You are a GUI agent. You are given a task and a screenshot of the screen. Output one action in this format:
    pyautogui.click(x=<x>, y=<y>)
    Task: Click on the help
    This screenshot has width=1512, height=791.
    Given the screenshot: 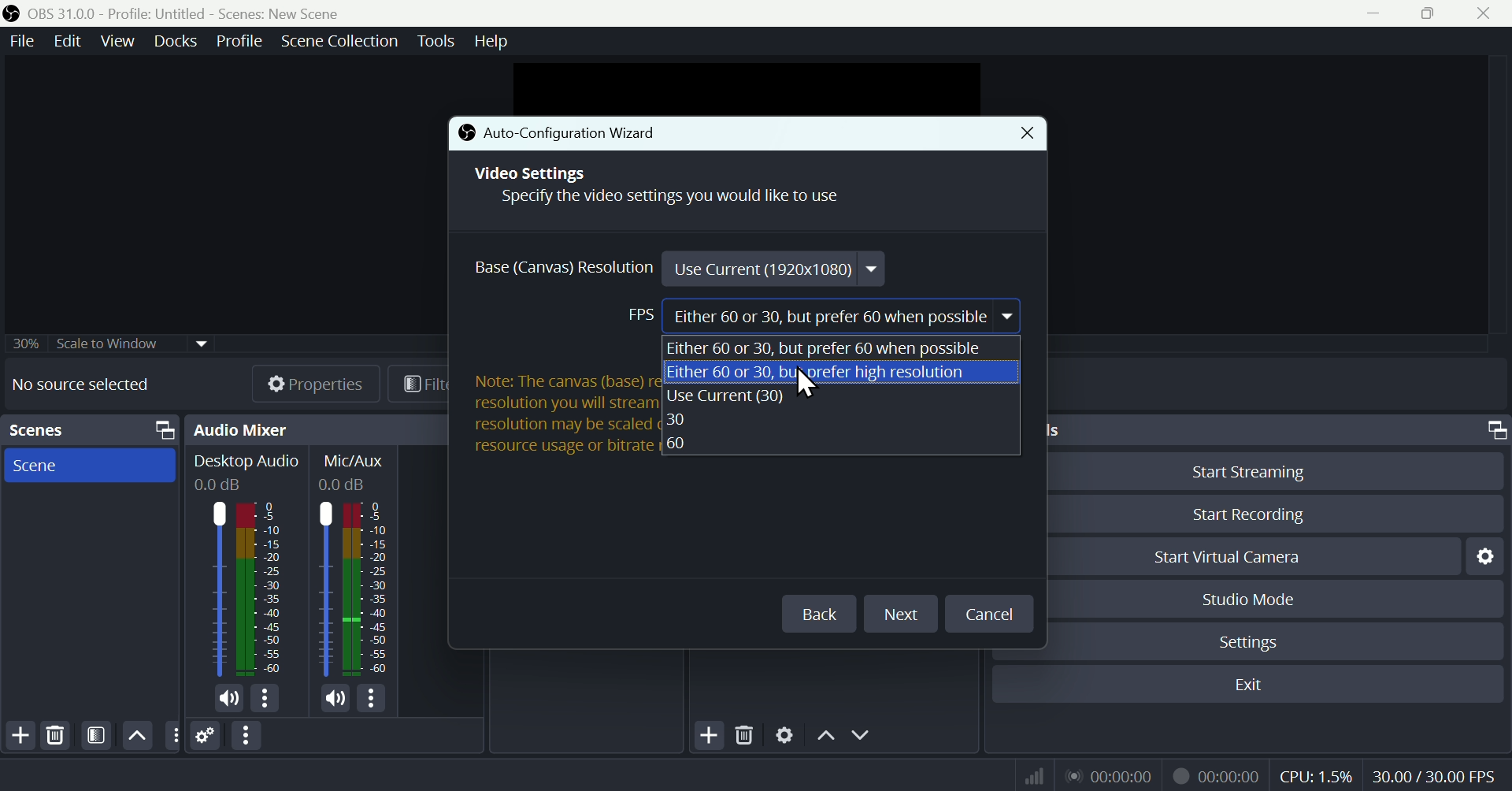 What is the action you would take?
    pyautogui.click(x=494, y=39)
    